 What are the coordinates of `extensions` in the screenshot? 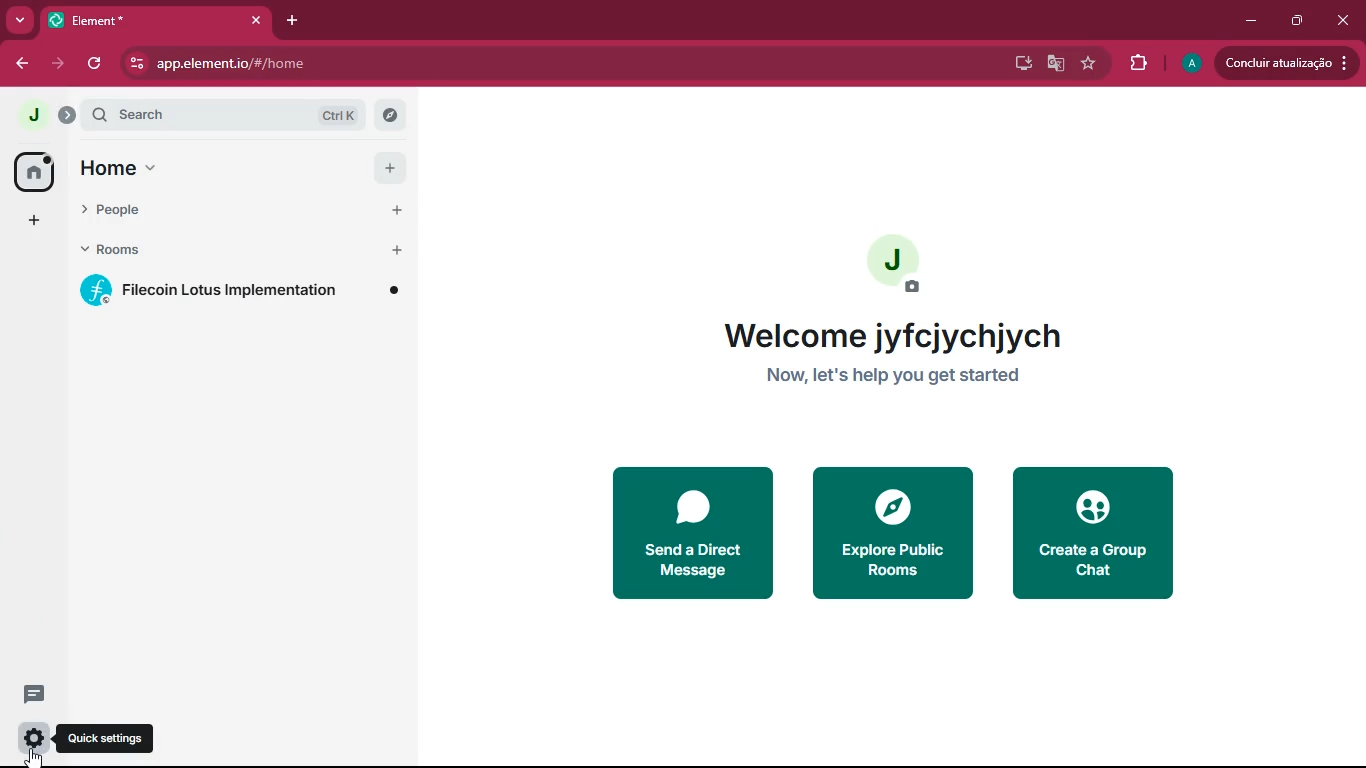 It's located at (1140, 63).